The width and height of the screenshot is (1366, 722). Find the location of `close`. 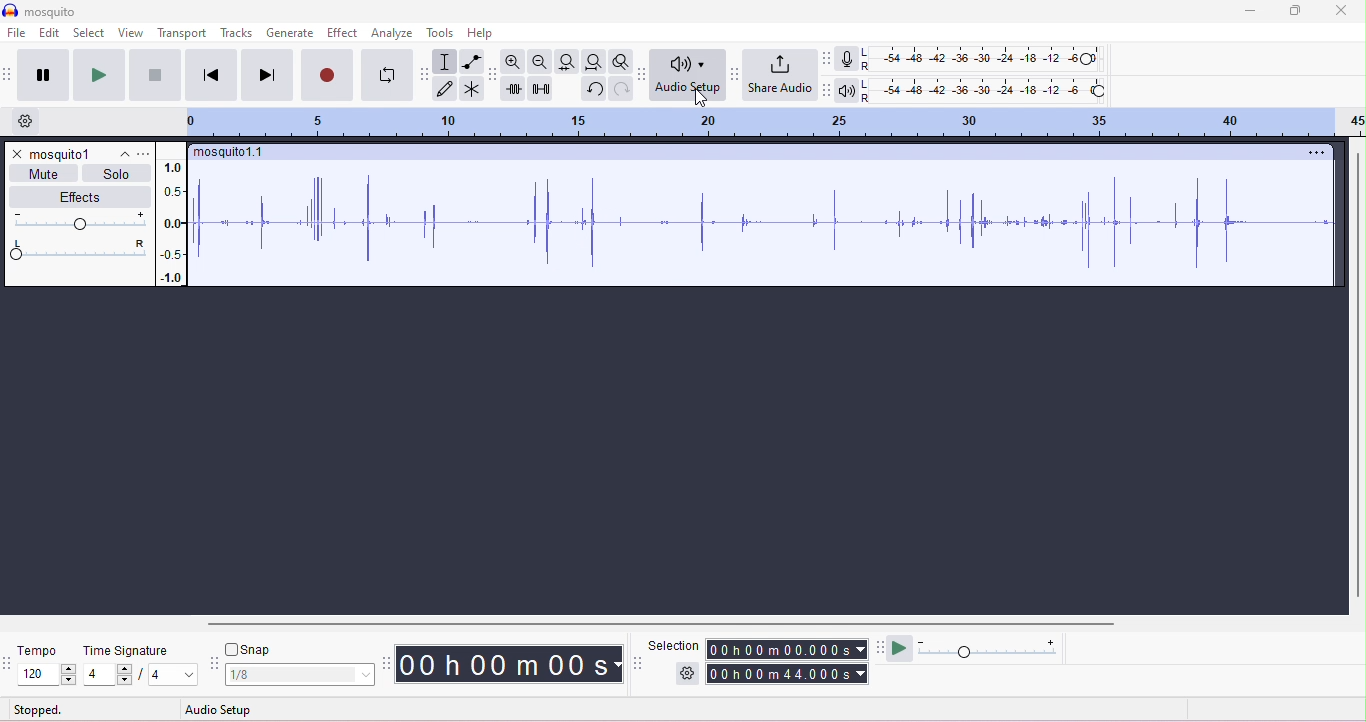

close is located at coordinates (1340, 11).